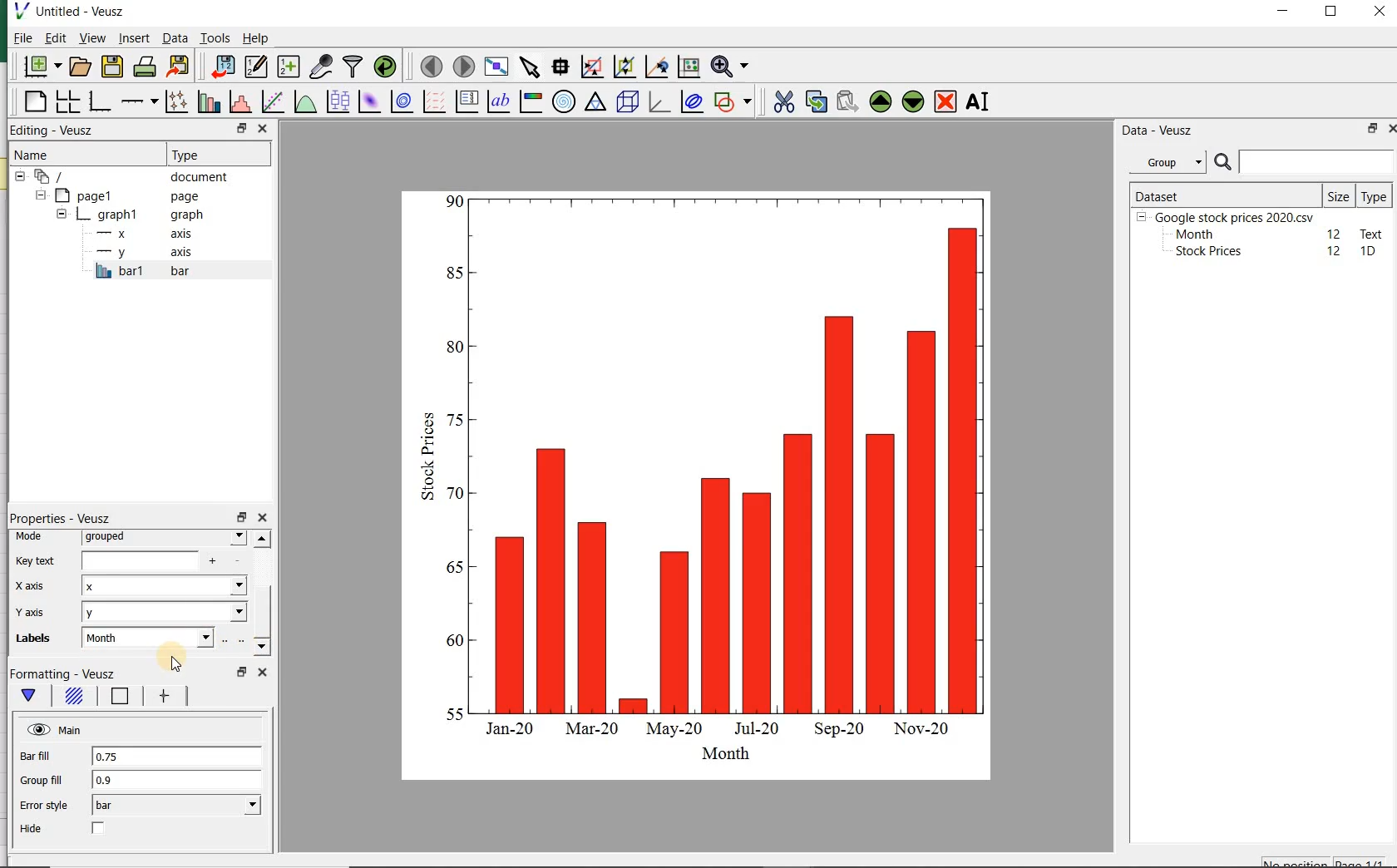 This screenshot has width=1397, height=868. What do you see at coordinates (466, 103) in the screenshot?
I see `plot key` at bounding box center [466, 103].